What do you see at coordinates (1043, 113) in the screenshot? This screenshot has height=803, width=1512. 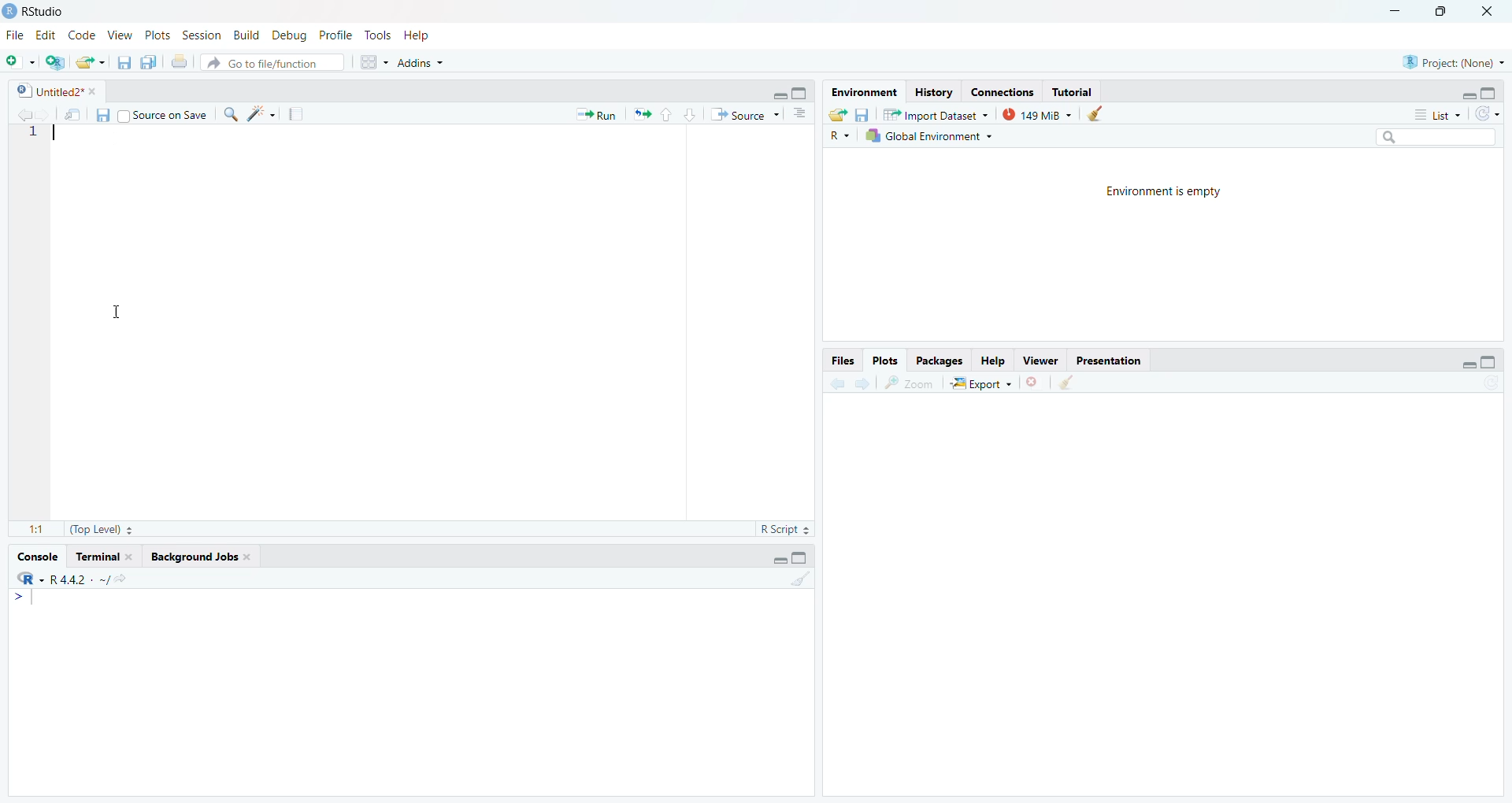 I see `149kib used by R session (Source: Windows System)` at bounding box center [1043, 113].